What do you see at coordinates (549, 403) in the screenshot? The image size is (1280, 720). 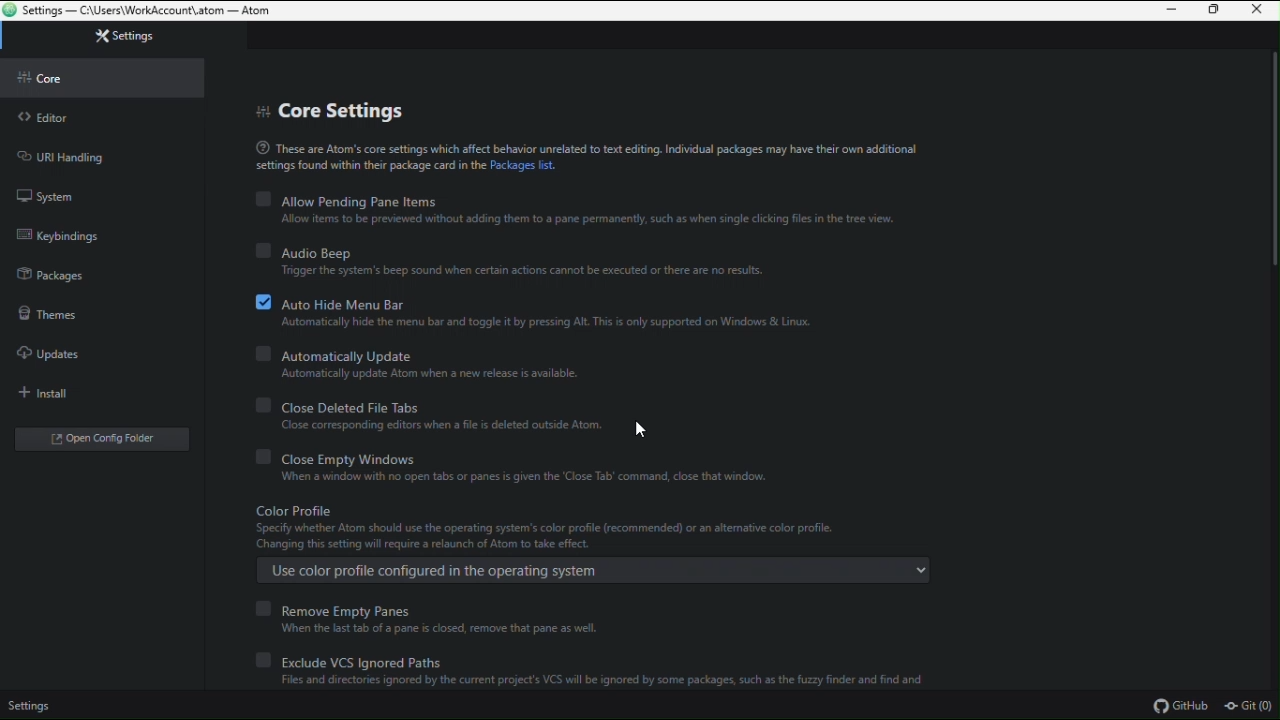 I see `close deleted file tabs` at bounding box center [549, 403].